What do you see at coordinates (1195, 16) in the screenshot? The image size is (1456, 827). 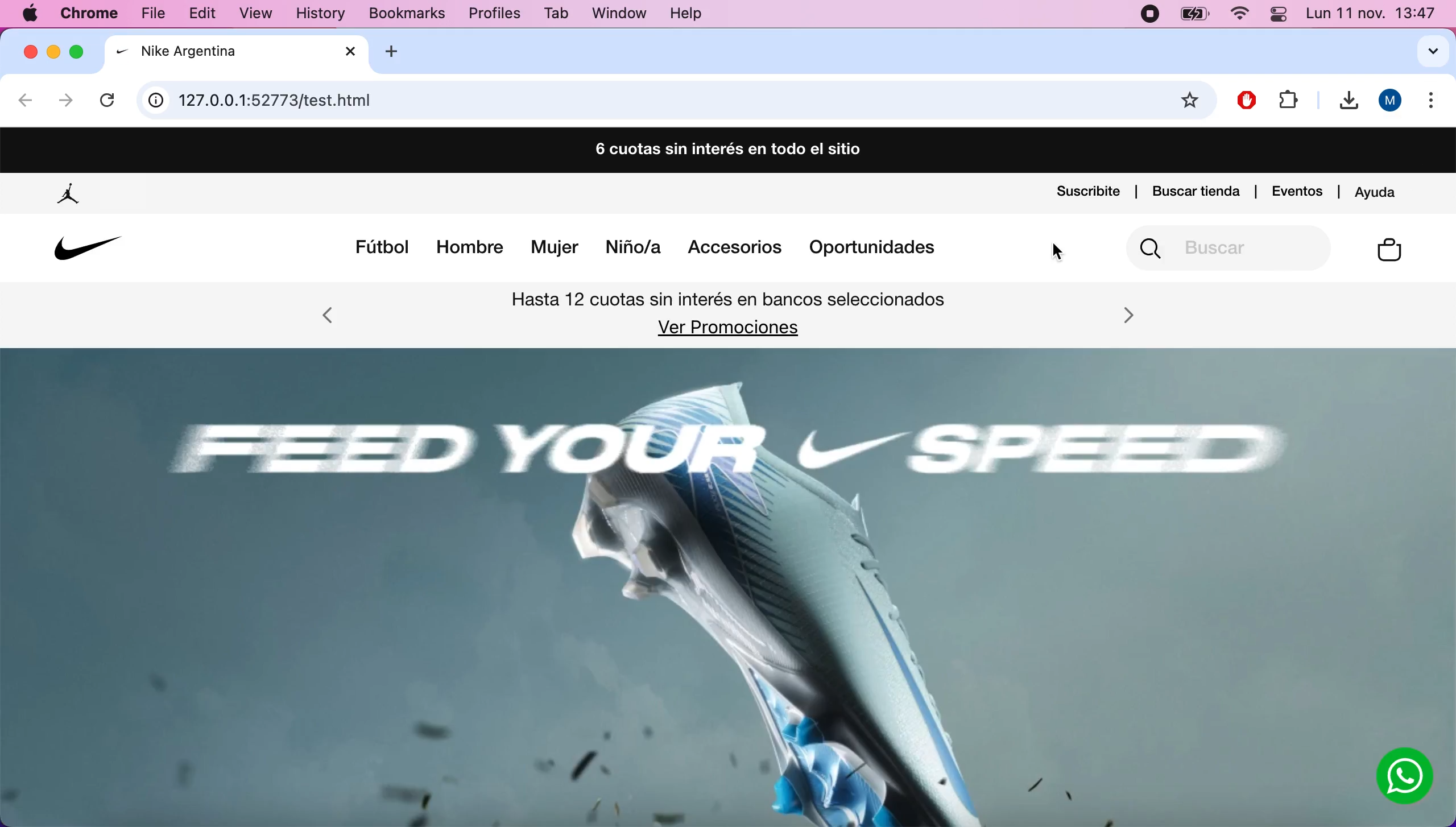 I see `battery` at bounding box center [1195, 16].